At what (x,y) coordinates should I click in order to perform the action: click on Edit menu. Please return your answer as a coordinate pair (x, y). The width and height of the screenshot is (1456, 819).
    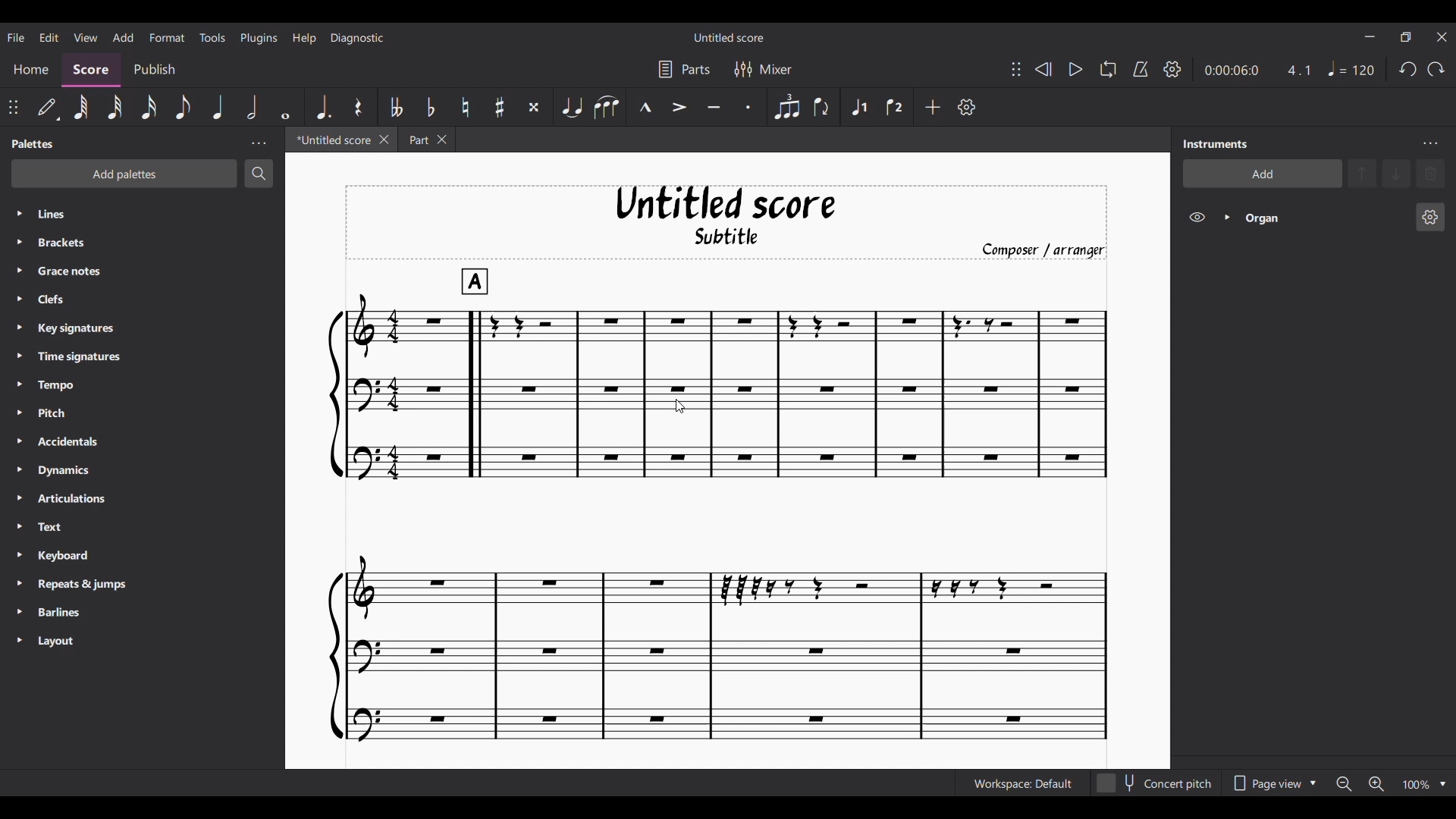
    Looking at the image, I should click on (49, 36).